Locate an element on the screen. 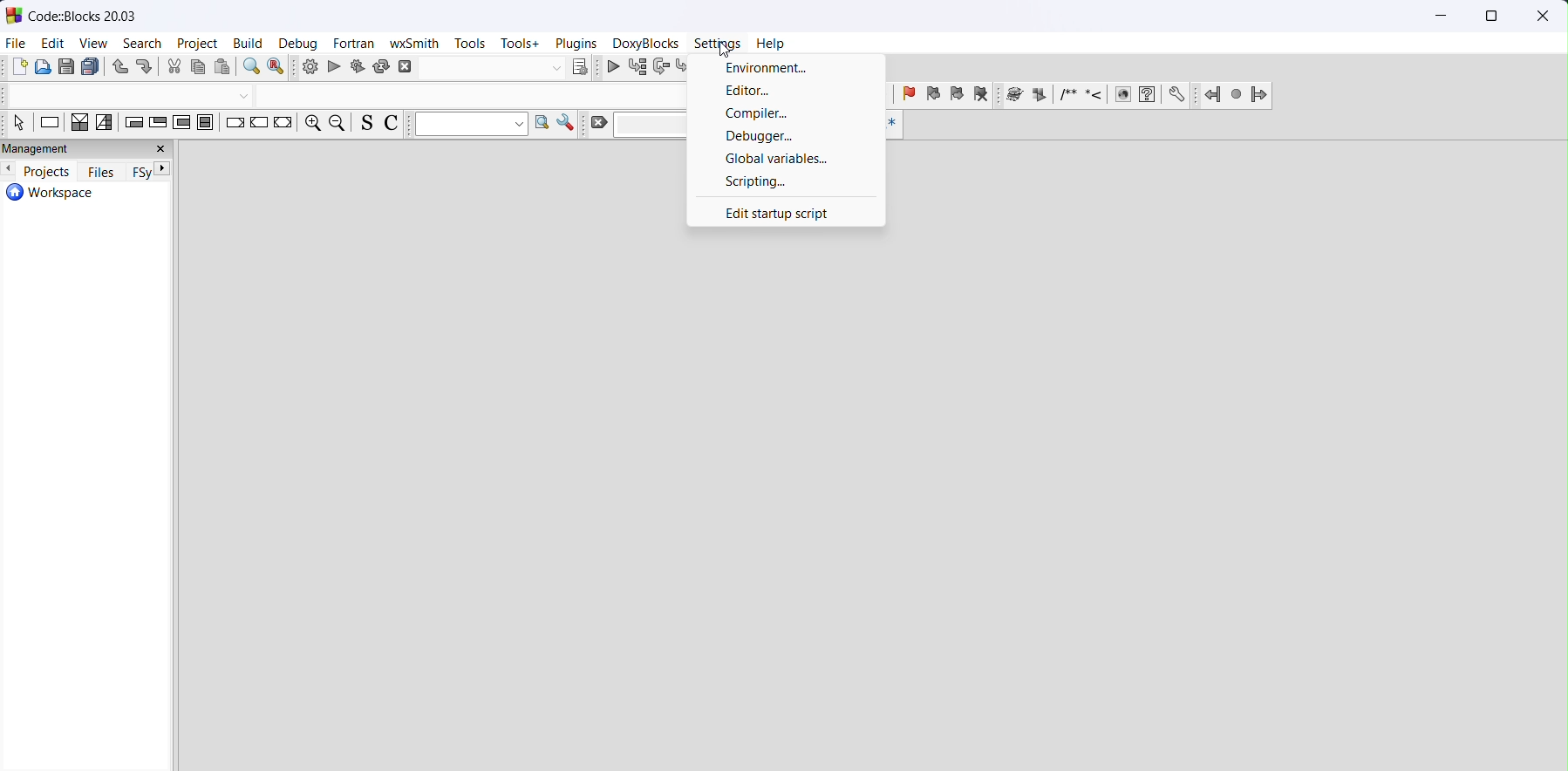 The width and height of the screenshot is (1568, 771). cut is located at coordinates (174, 67).